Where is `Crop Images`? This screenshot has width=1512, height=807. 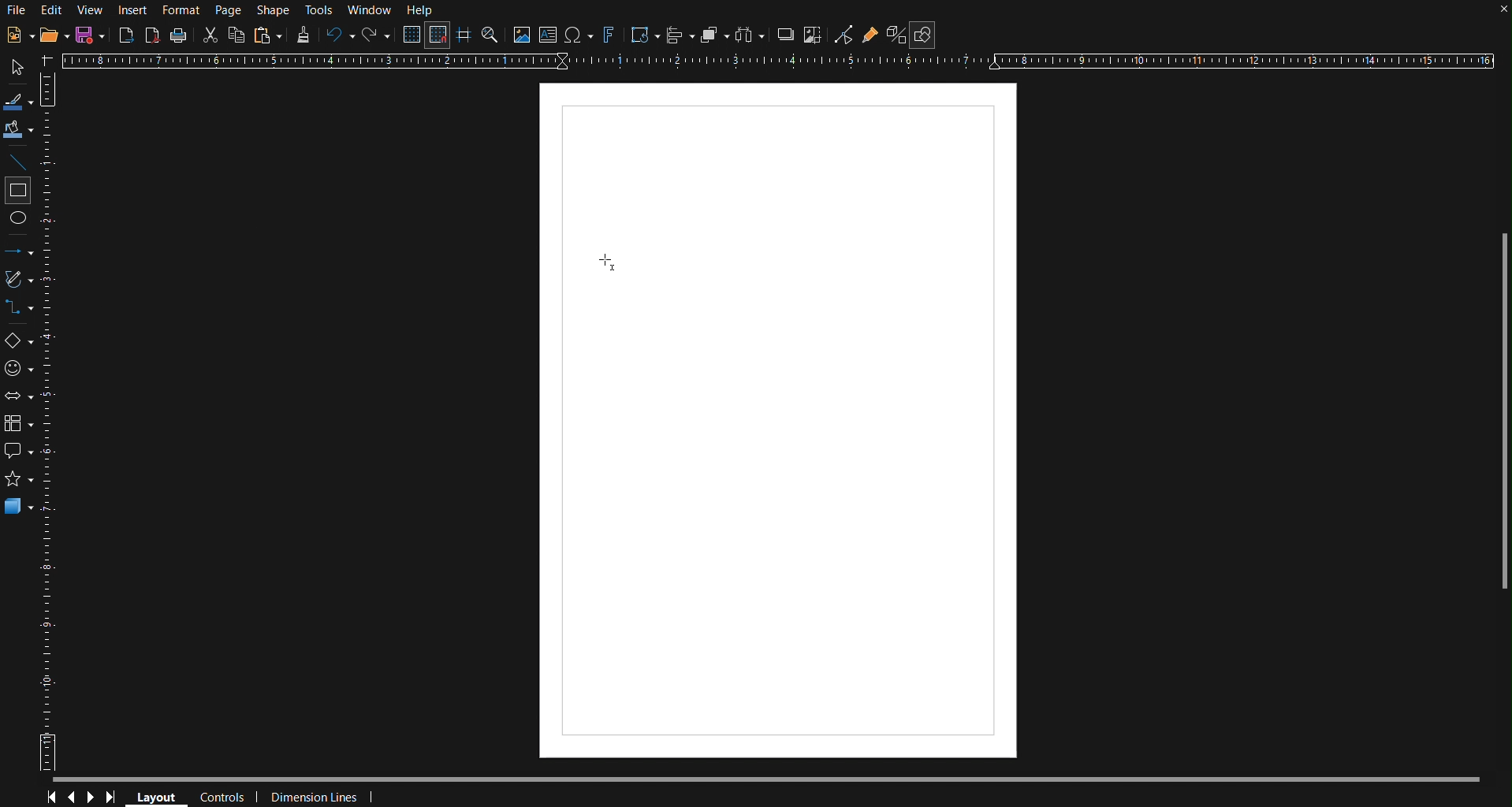 Crop Images is located at coordinates (814, 34).